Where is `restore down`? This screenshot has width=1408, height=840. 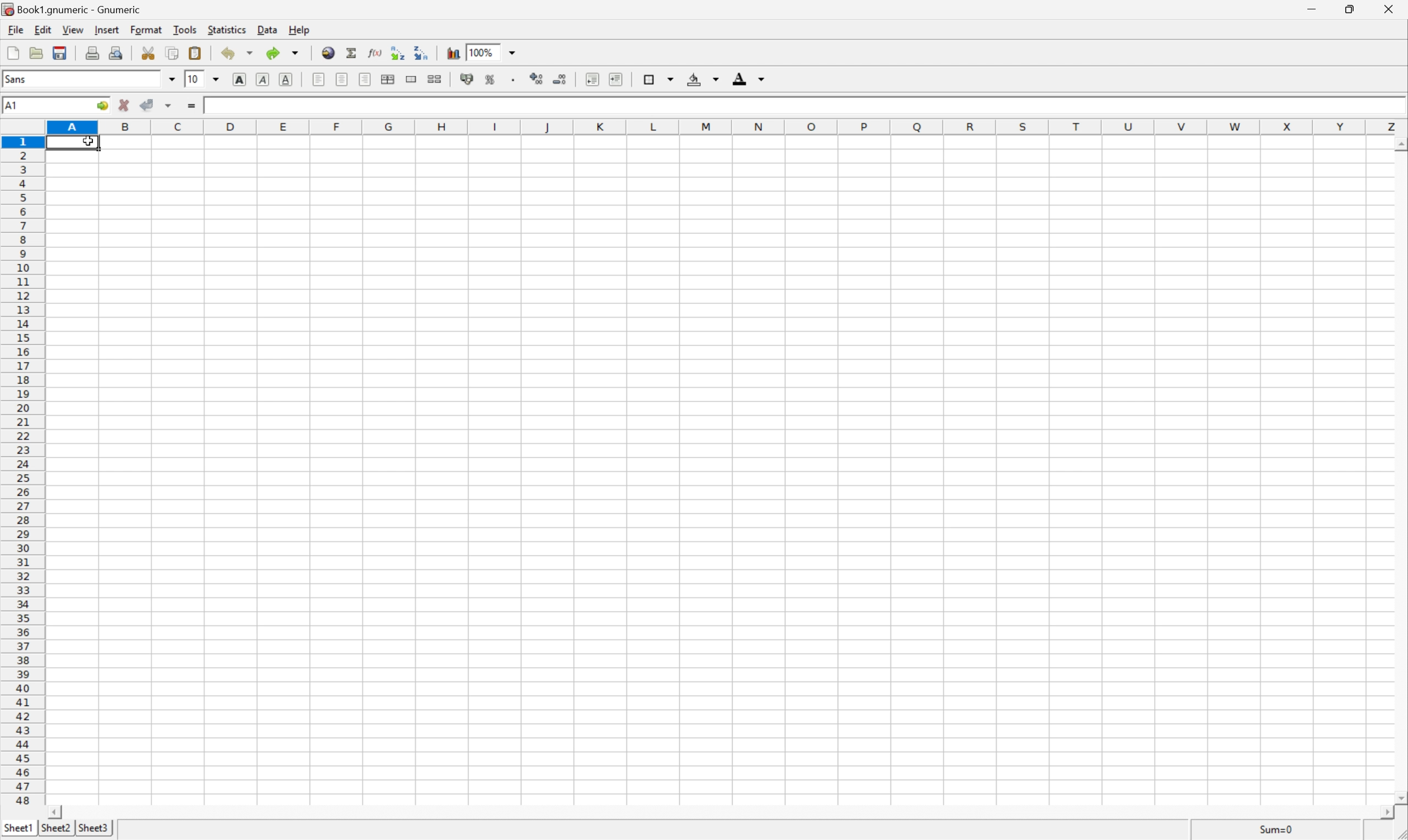
restore down is located at coordinates (1353, 11).